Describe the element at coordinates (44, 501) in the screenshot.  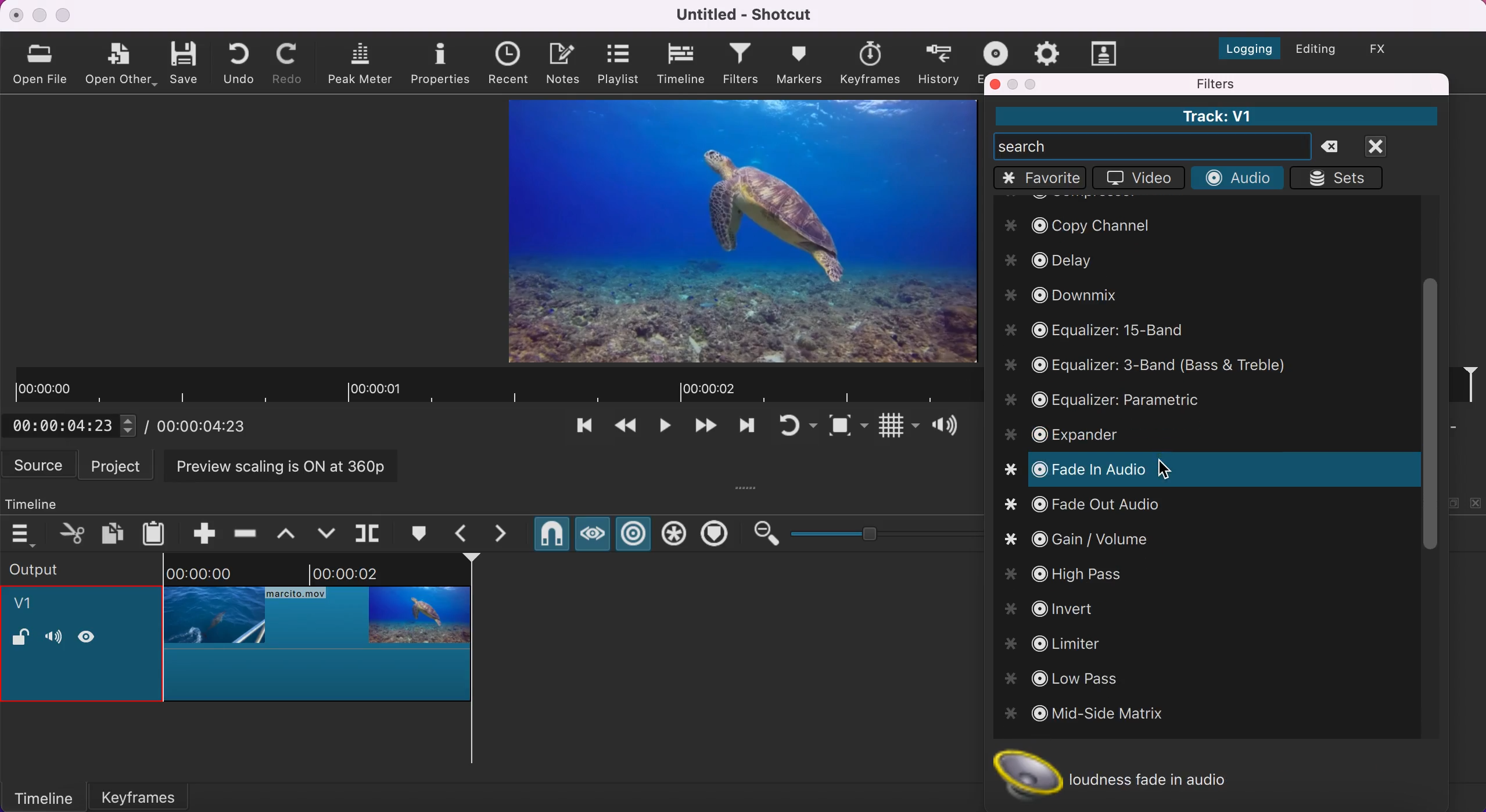
I see `timeline` at that location.